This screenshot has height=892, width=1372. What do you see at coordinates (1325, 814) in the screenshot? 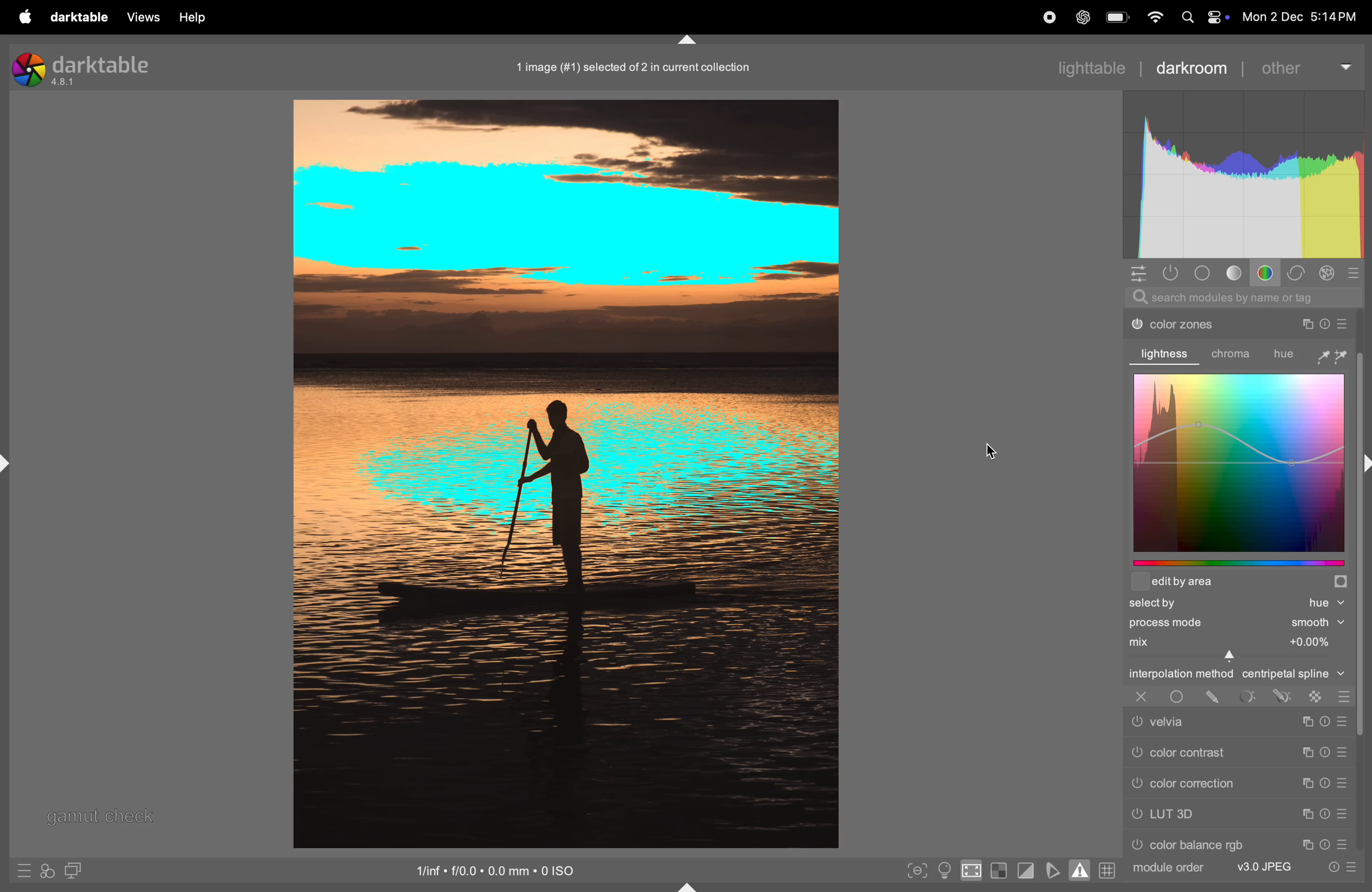
I see `Timer` at bounding box center [1325, 814].